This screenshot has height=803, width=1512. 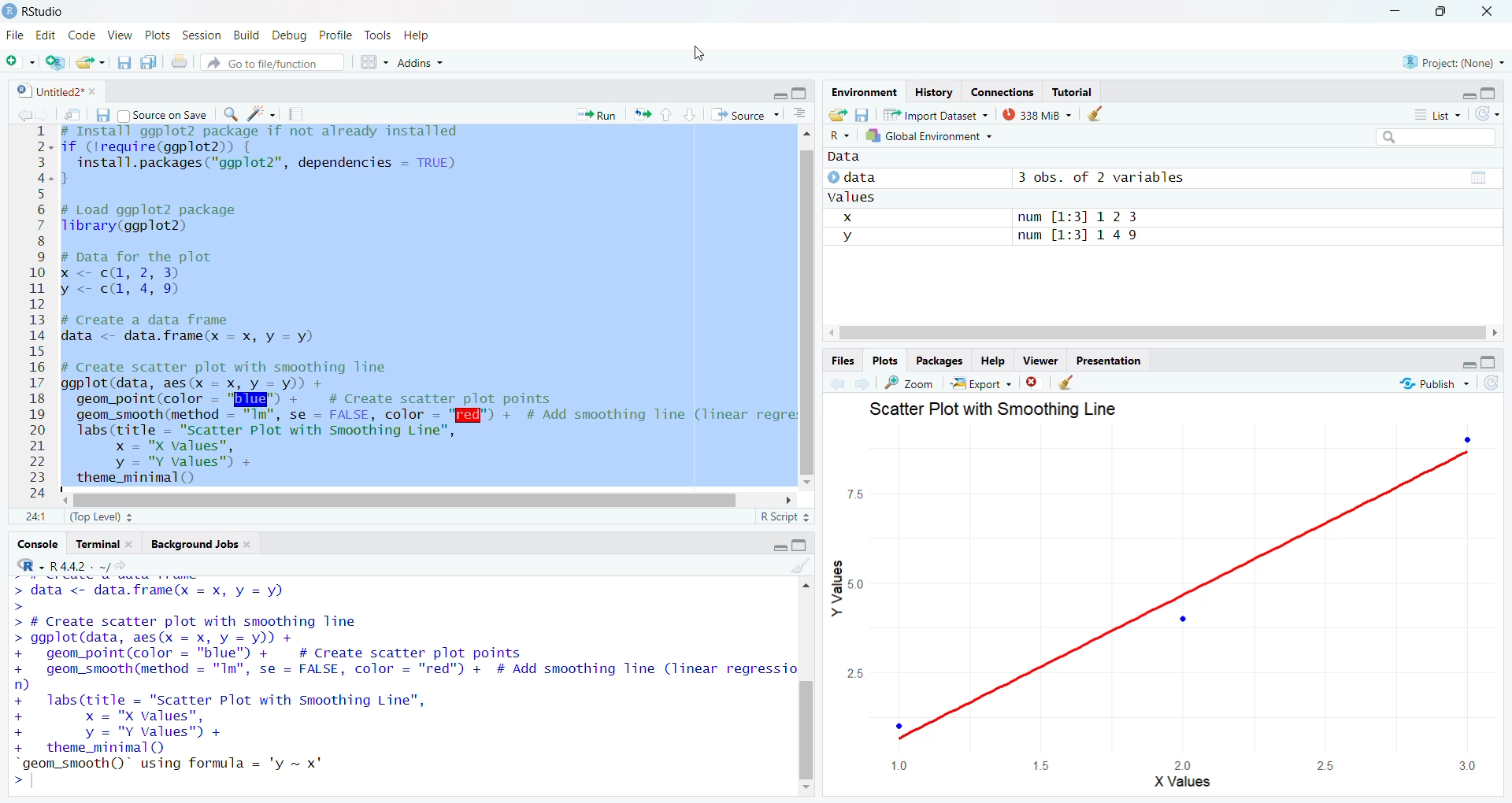 What do you see at coordinates (932, 93) in the screenshot?
I see `History` at bounding box center [932, 93].